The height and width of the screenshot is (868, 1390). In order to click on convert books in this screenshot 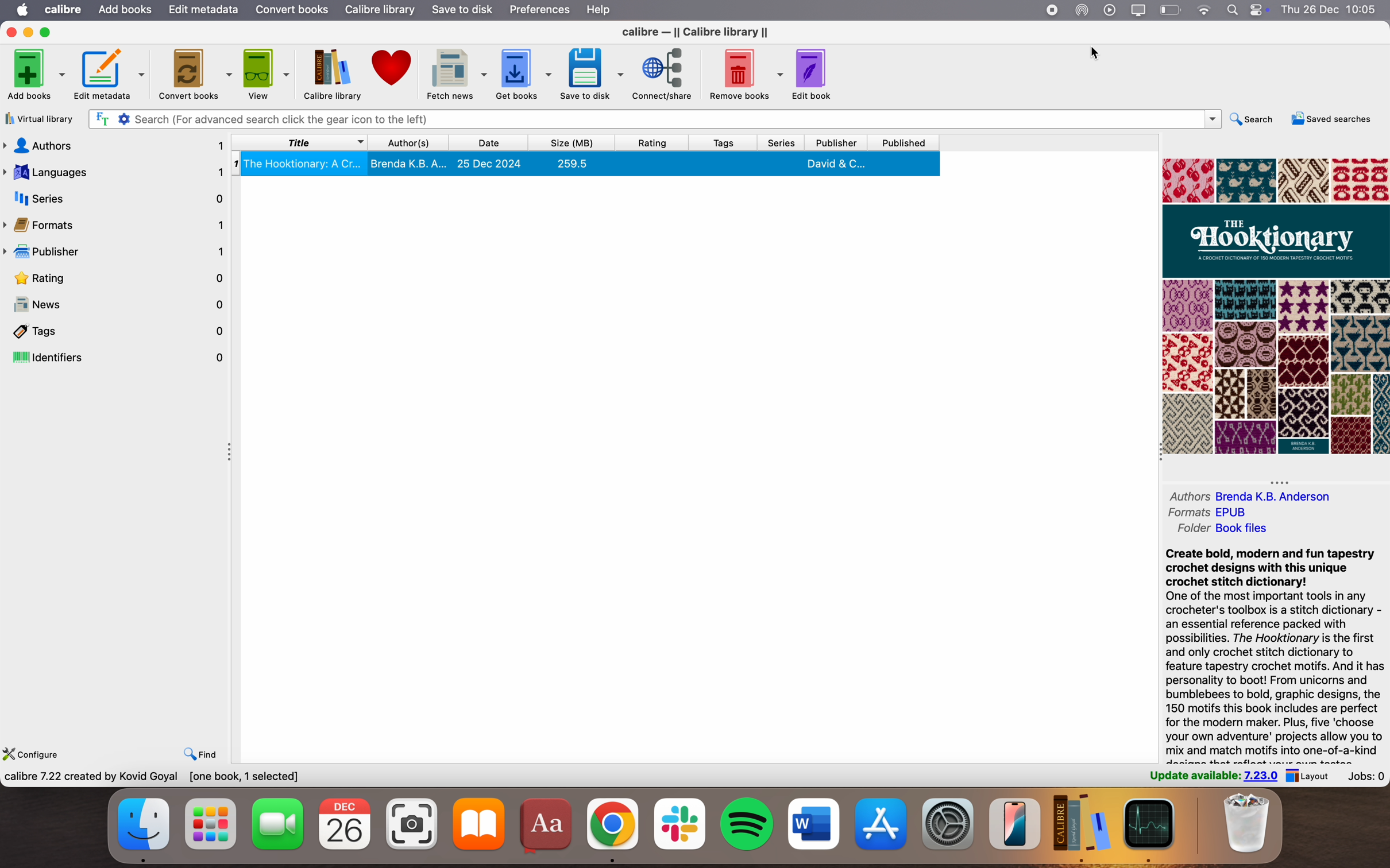, I will do `click(291, 10)`.